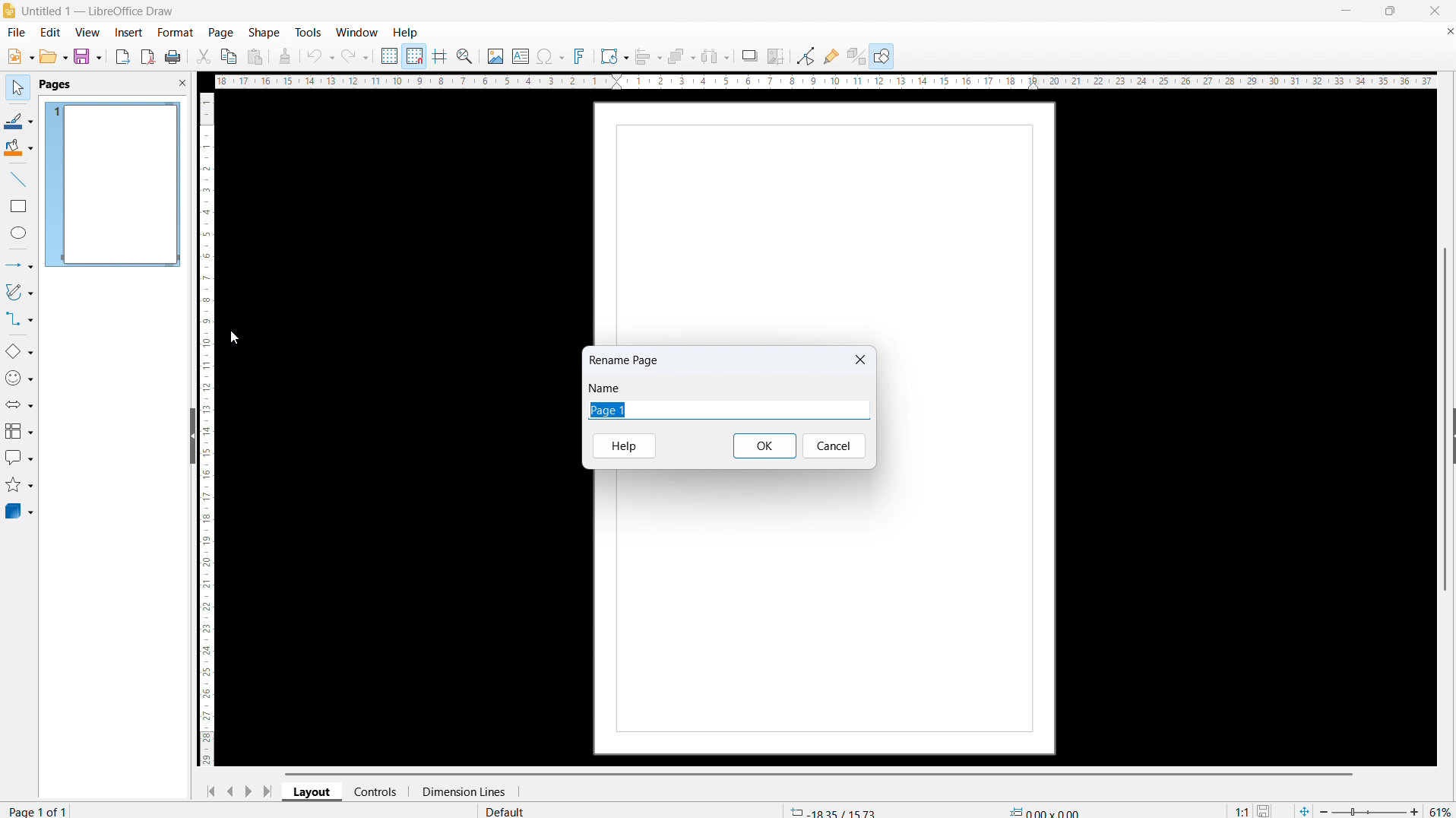  Describe the element at coordinates (128, 33) in the screenshot. I see `insert` at that location.